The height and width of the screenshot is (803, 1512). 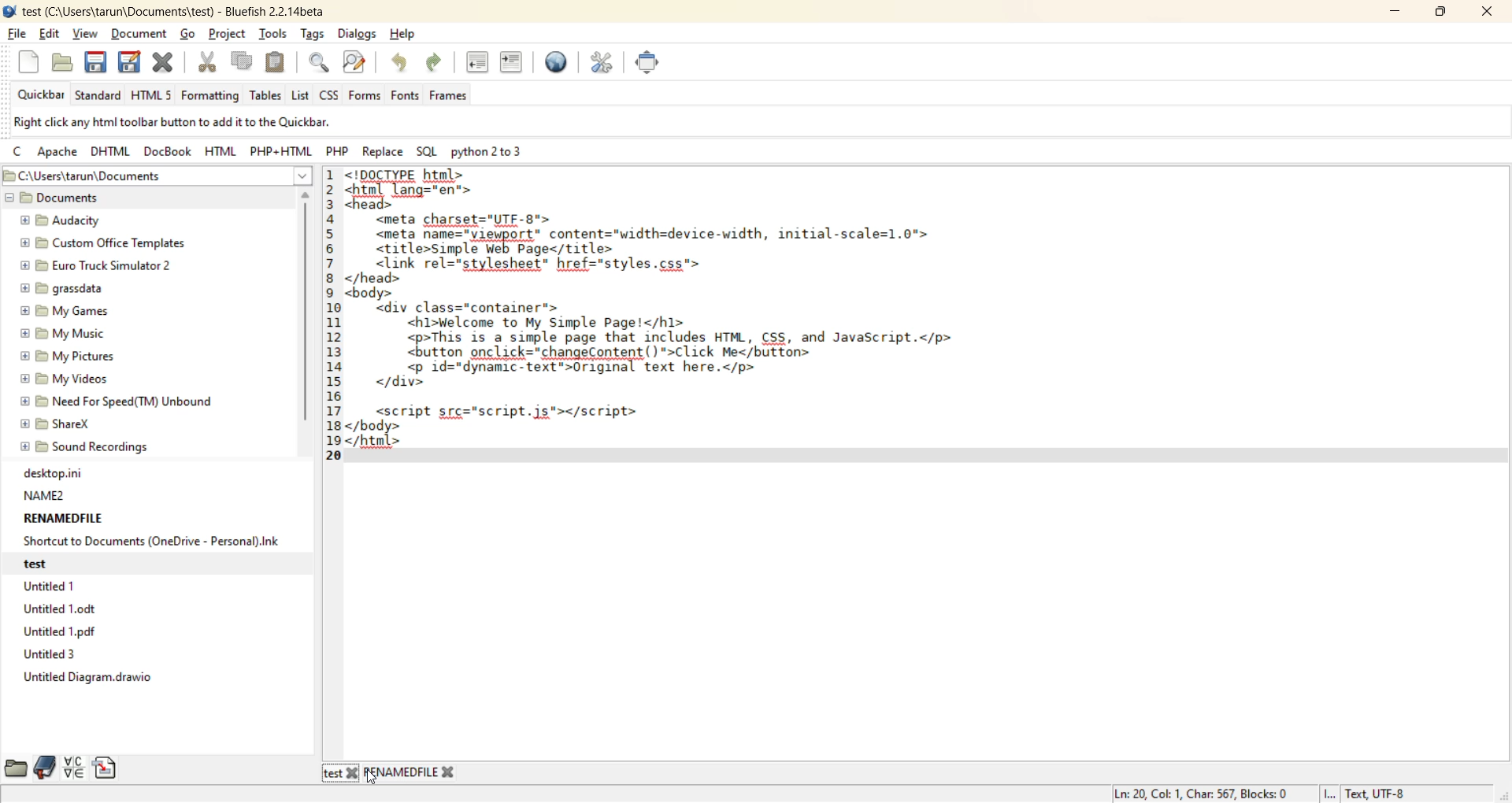 What do you see at coordinates (64, 64) in the screenshot?
I see `open` at bounding box center [64, 64].